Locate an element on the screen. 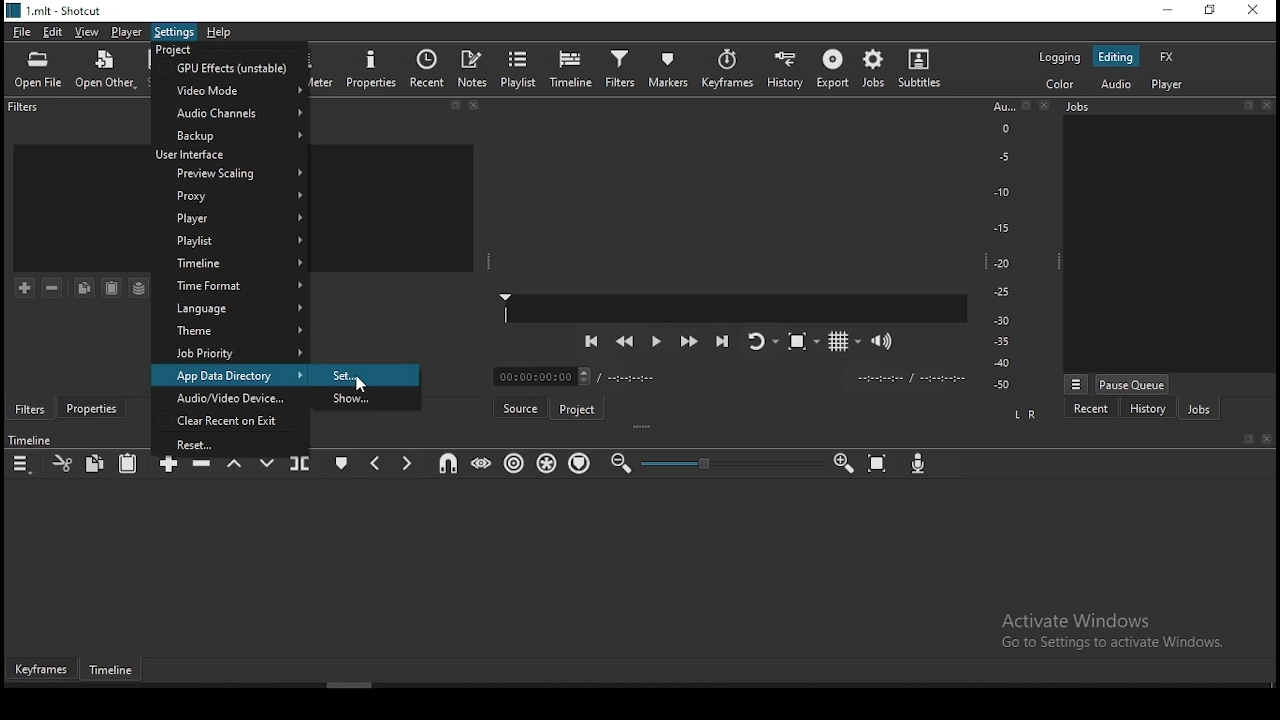 The image size is (1280, 720). minimize is located at coordinates (1163, 10).